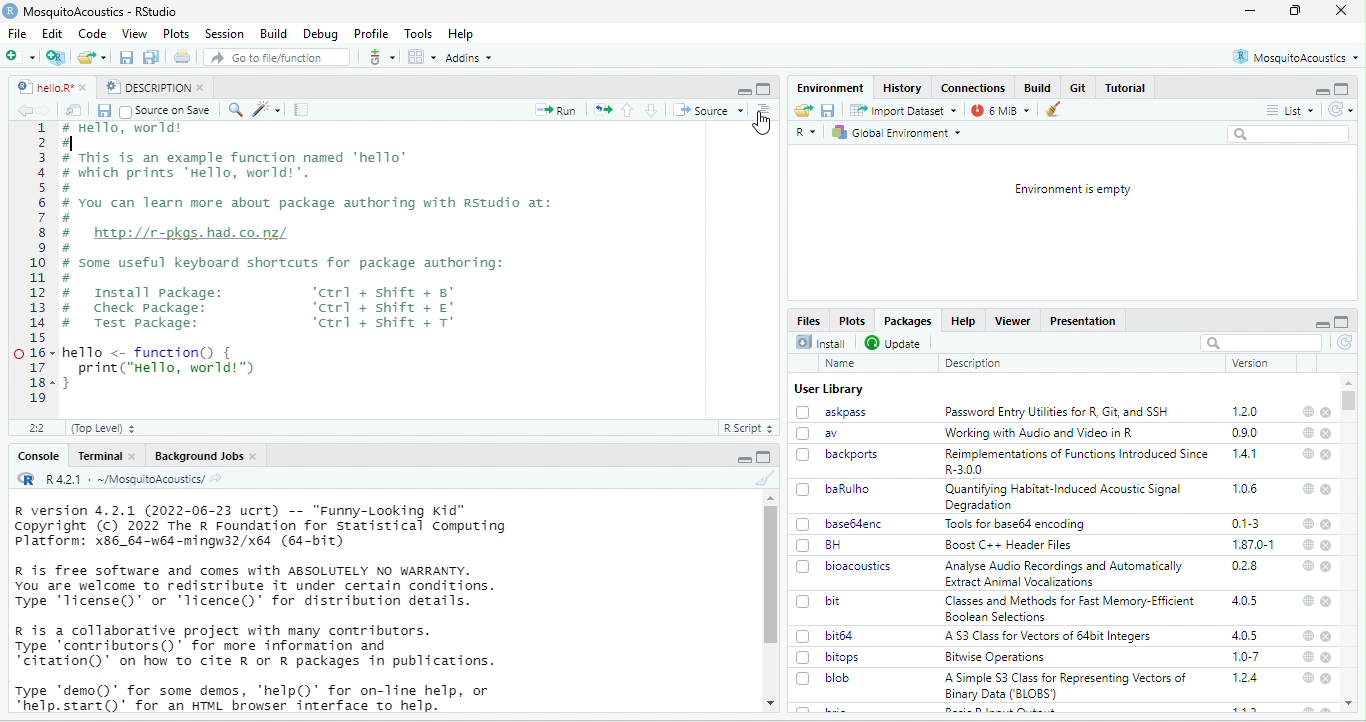 The image size is (1366, 722). I want to click on 1.0.6, so click(1244, 488).